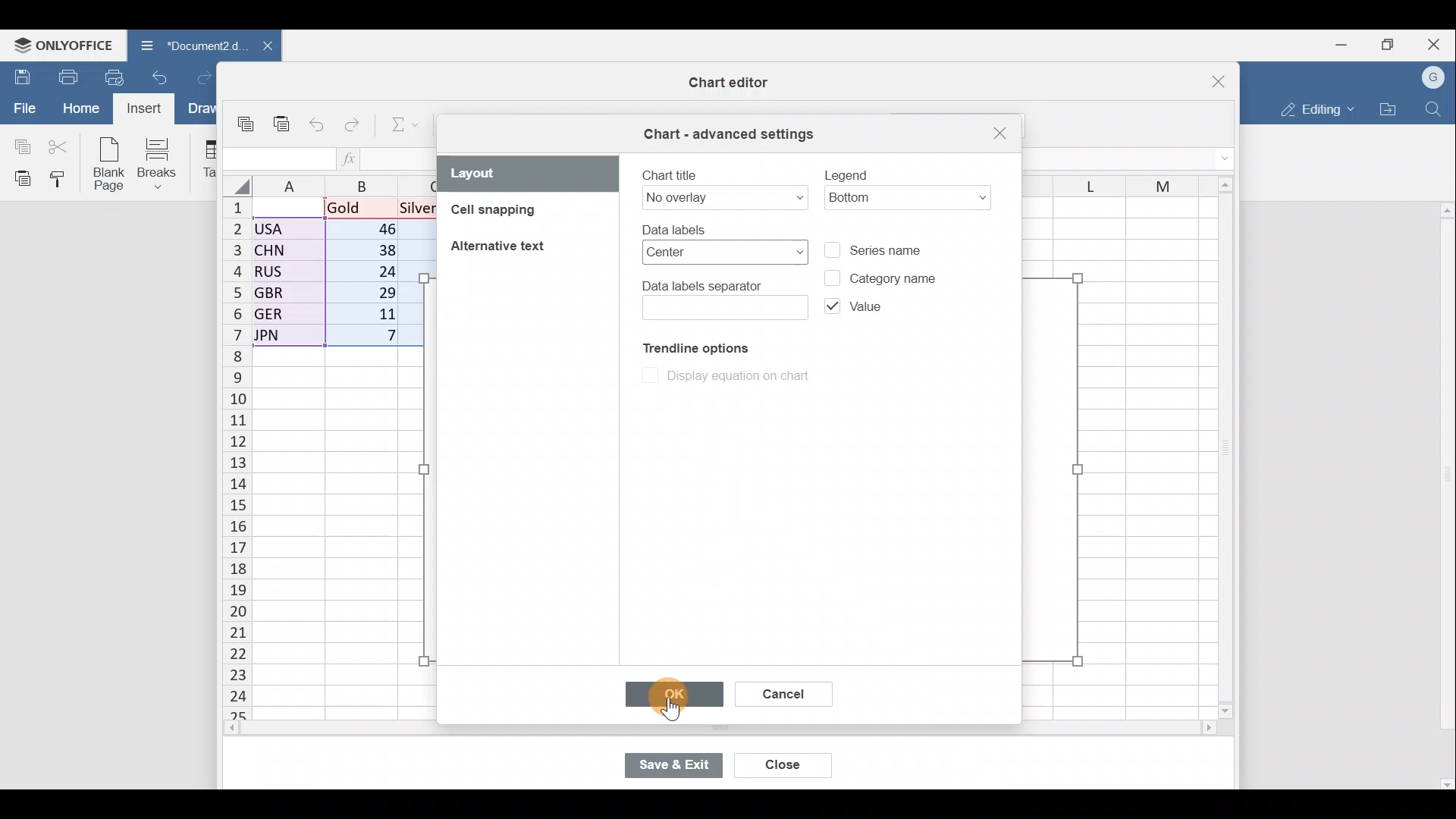 The width and height of the screenshot is (1456, 819). Describe the element at coordinates (119, 74) in the screenshot. I see `Quick print` at that location.